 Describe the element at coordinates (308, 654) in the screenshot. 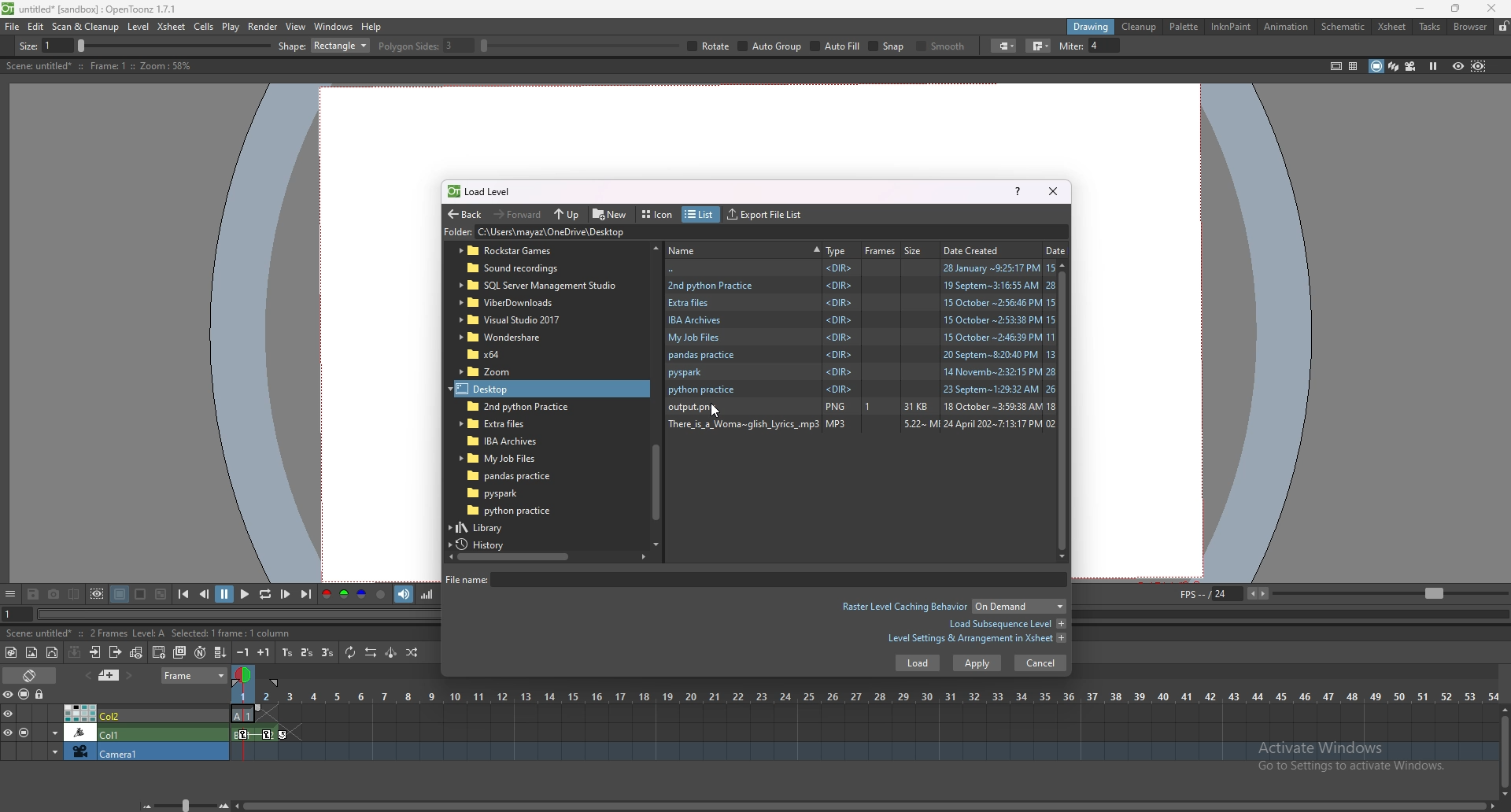

I see `reframe on 2s` at that location.